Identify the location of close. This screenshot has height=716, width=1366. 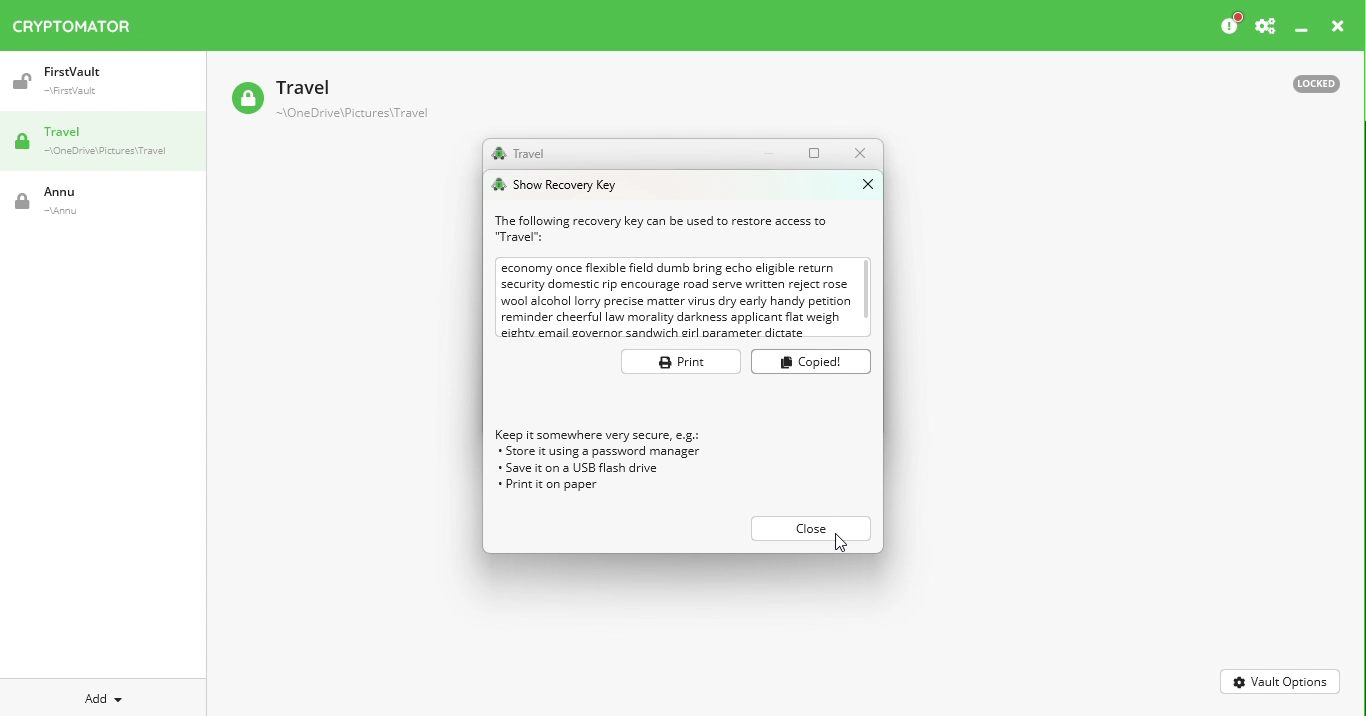
(810, 526).